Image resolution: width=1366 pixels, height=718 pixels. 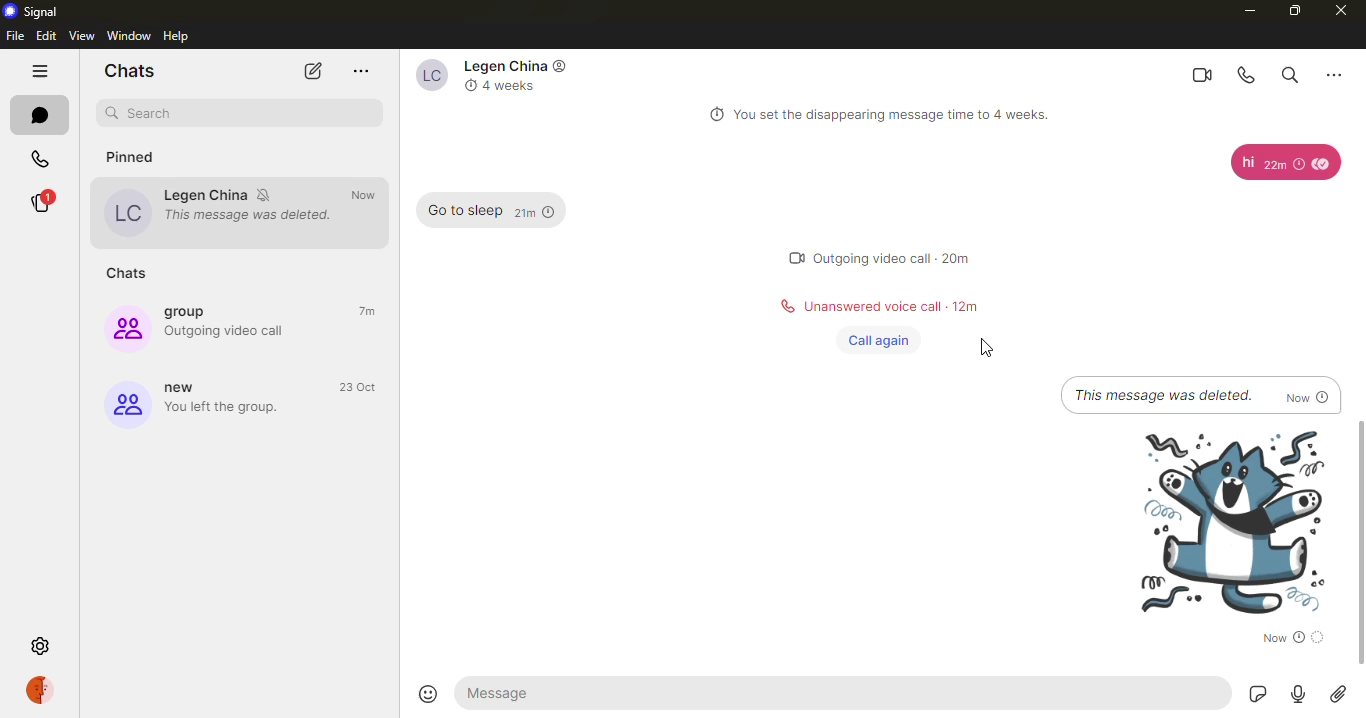 I want to click on new, so click(x=186, y=388).